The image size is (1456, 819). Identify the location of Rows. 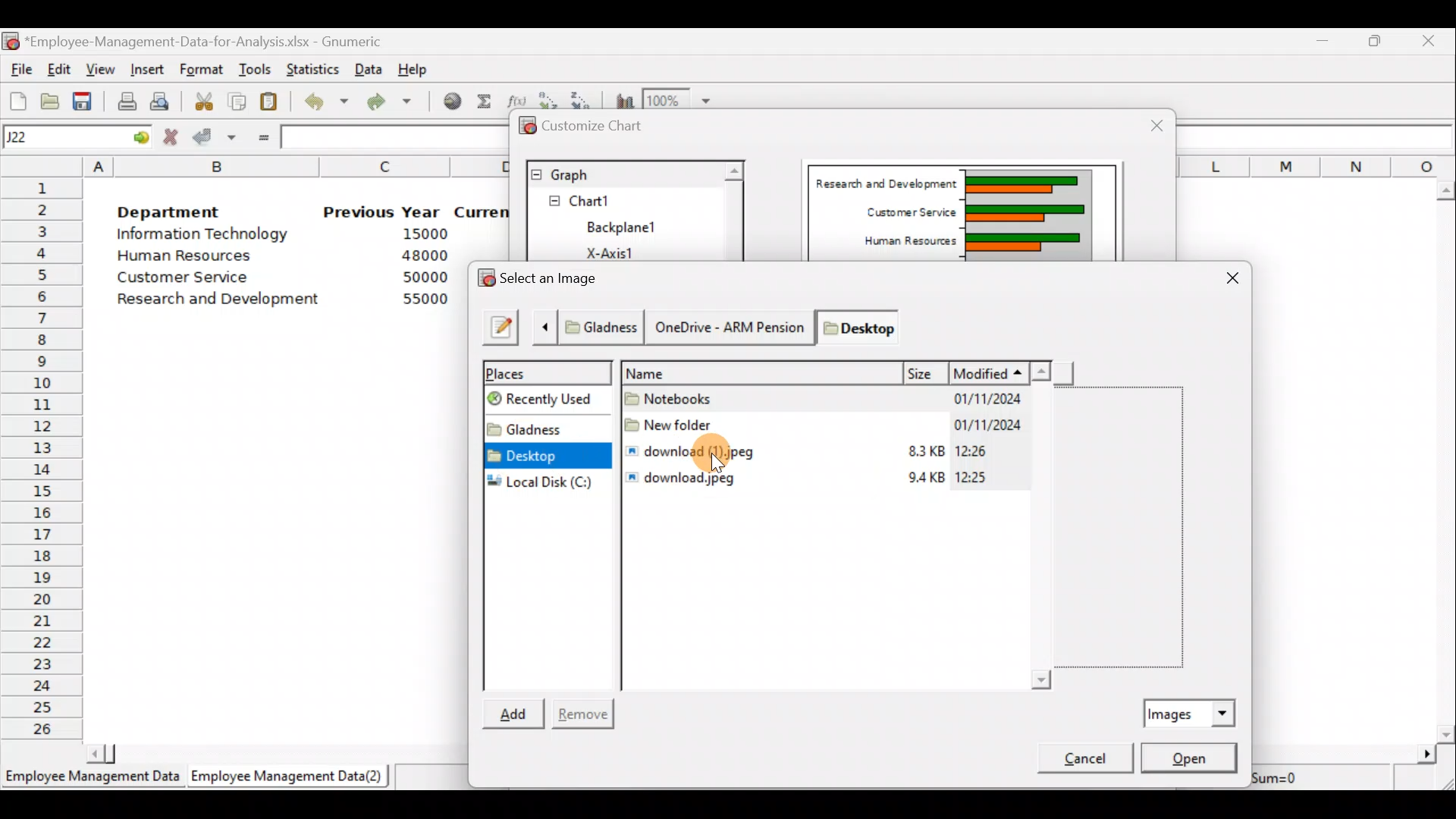
(42, 460).